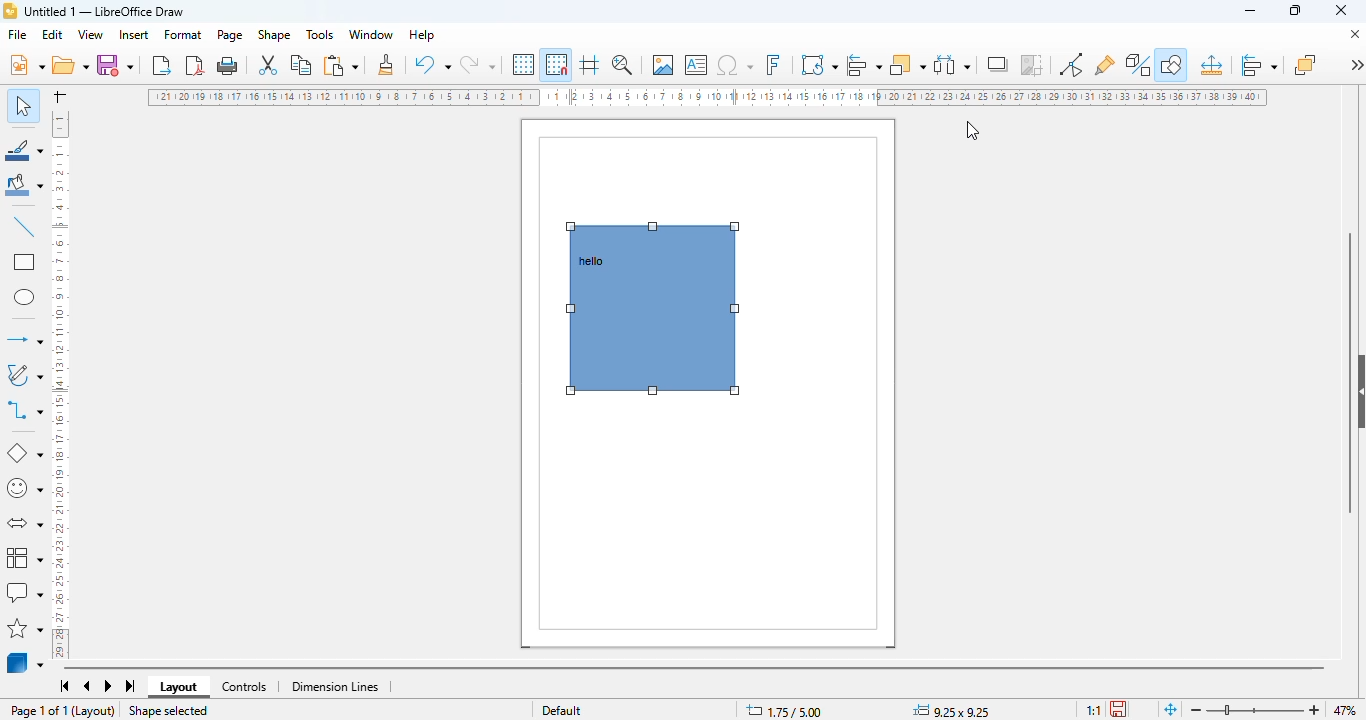 The image size is (1366, 720). What do you see at coordinates (39, 710) in the screenshot?
I see `page 1 of 1` at bounding box center [39, 710].